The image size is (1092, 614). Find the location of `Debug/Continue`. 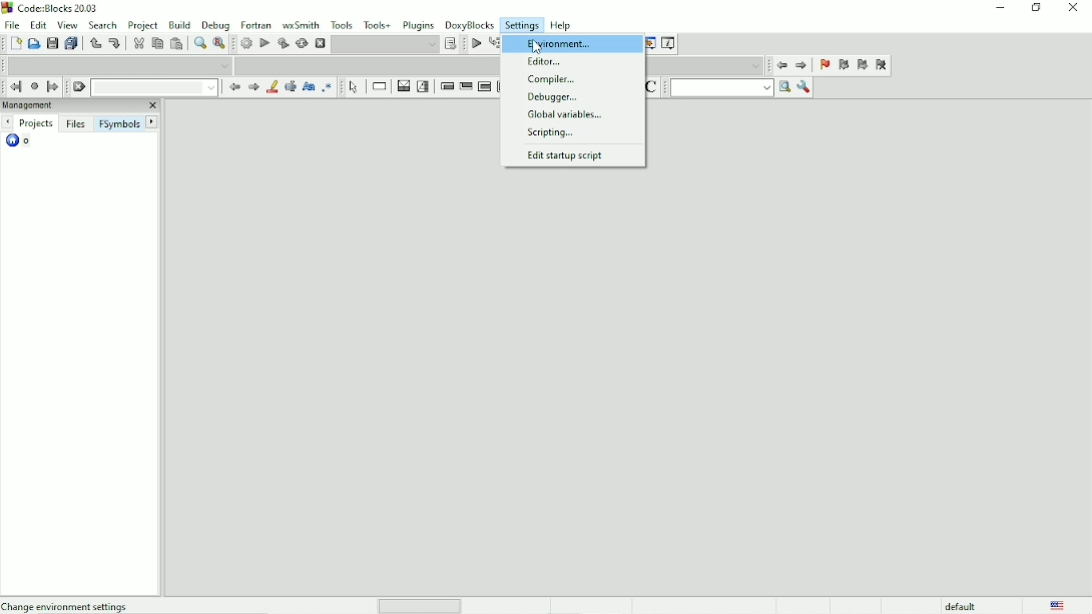

Debug/Continue is located at coordinates (475, 43).